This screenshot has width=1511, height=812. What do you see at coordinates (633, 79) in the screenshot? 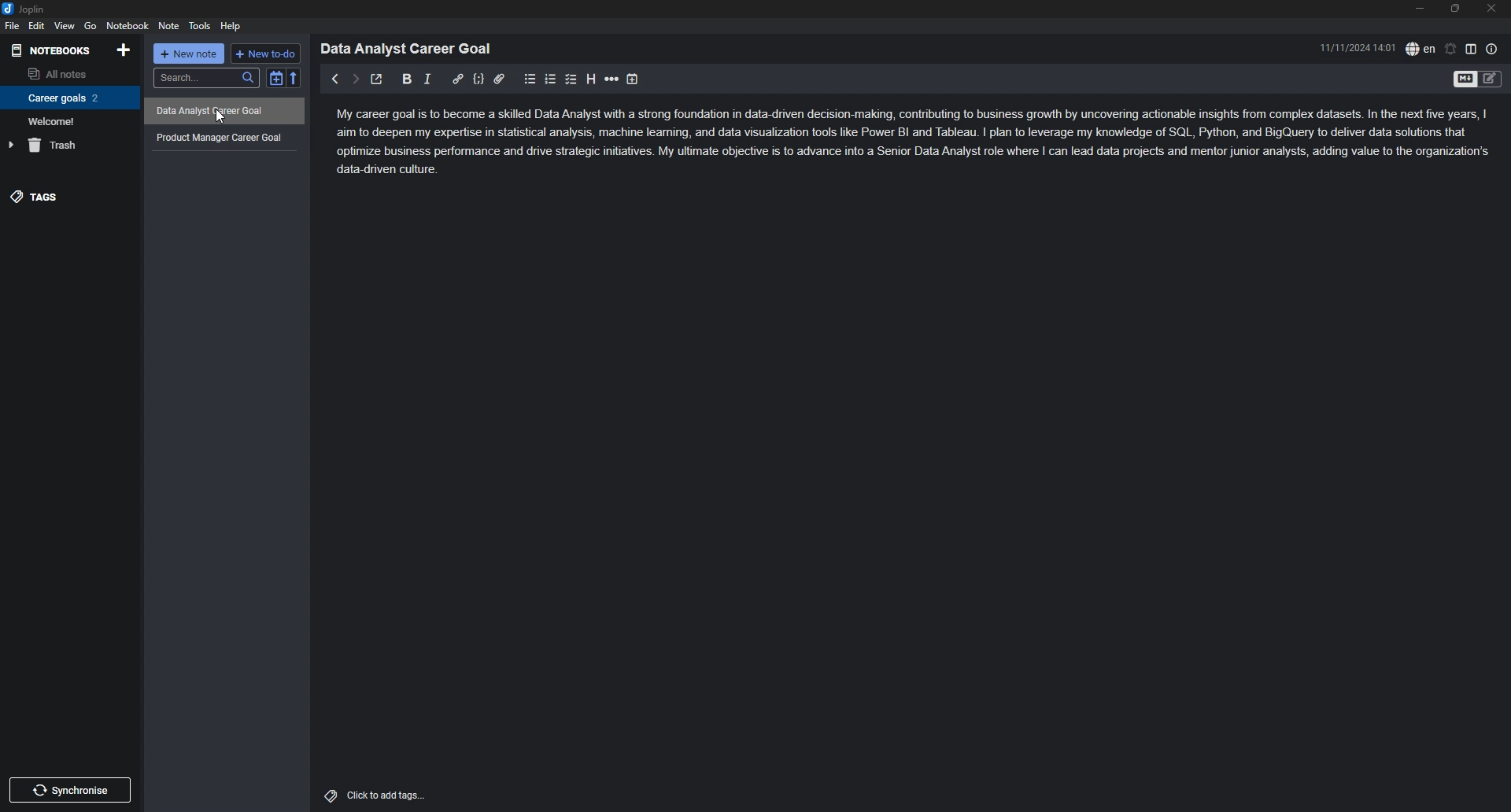
I see `add time` at bounding box center [633, 79].